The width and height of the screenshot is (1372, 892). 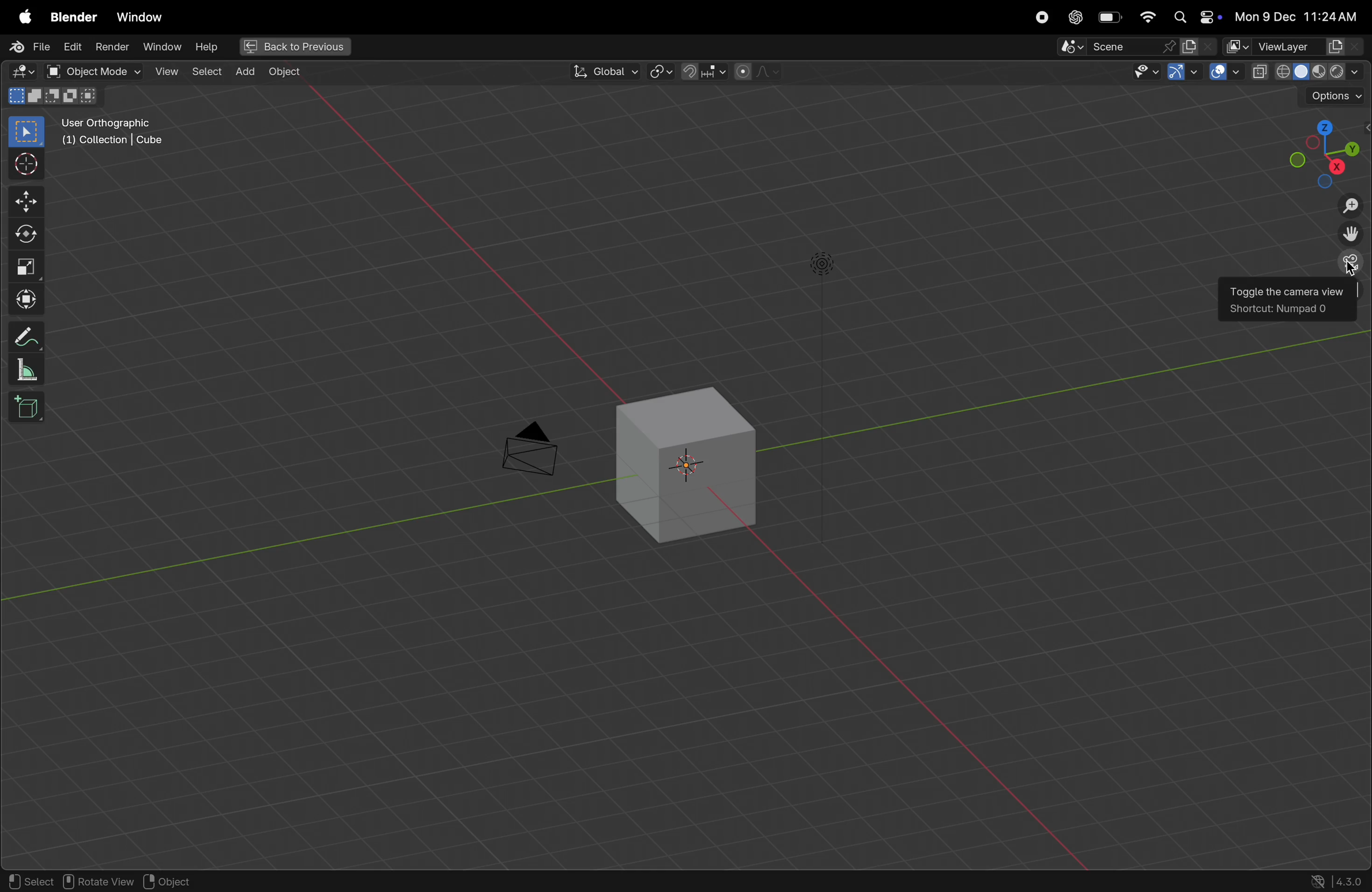 What do you see at coordinates (1301, 13) in the screenshot?
I see `date and time` at bounding box center [1301, 13].